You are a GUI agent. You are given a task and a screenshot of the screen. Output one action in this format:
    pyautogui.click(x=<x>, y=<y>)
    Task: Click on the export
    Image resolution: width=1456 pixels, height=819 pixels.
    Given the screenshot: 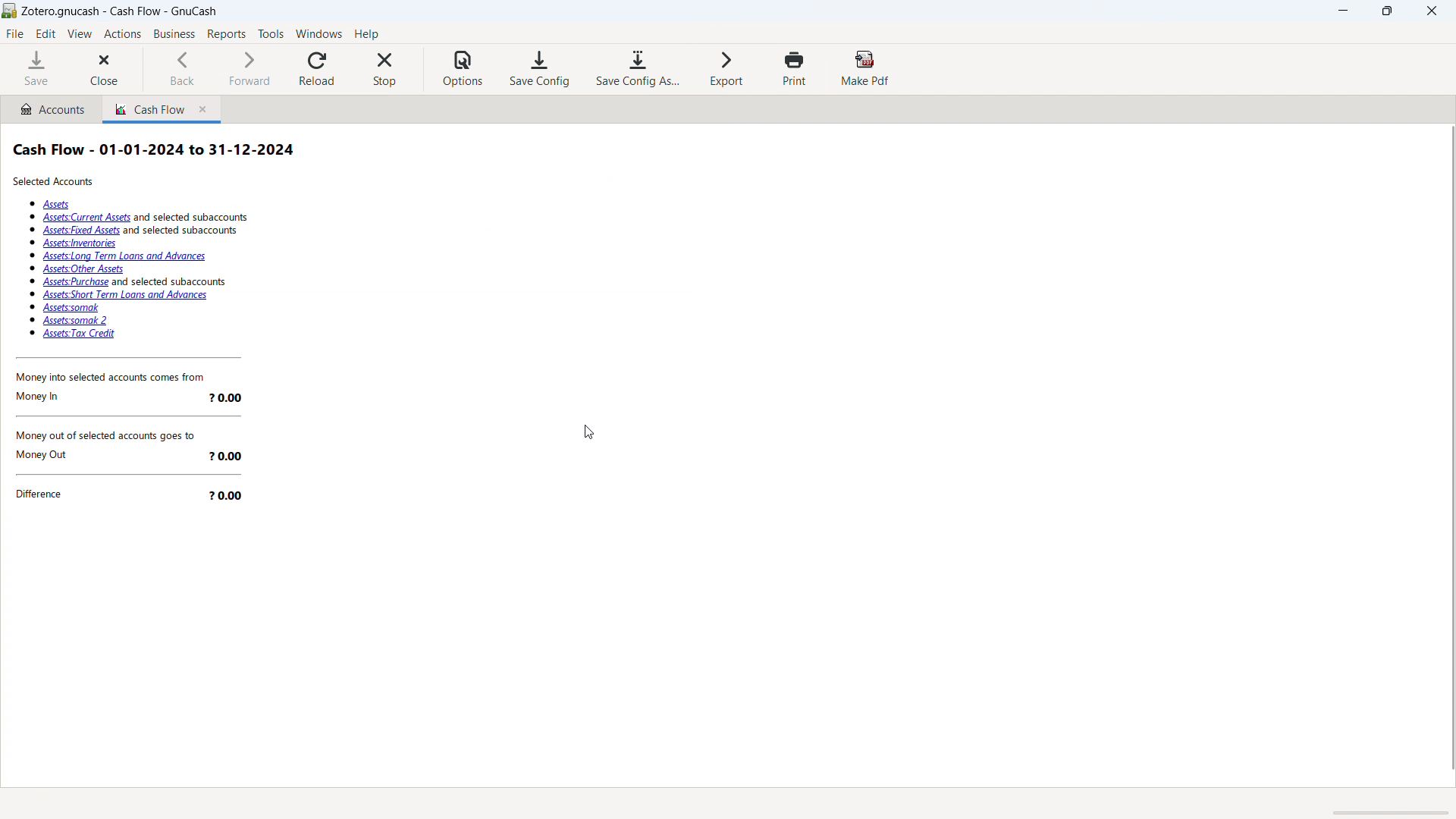 What is the action you would take?
    pyautogui.click(x=726, y=70)
    